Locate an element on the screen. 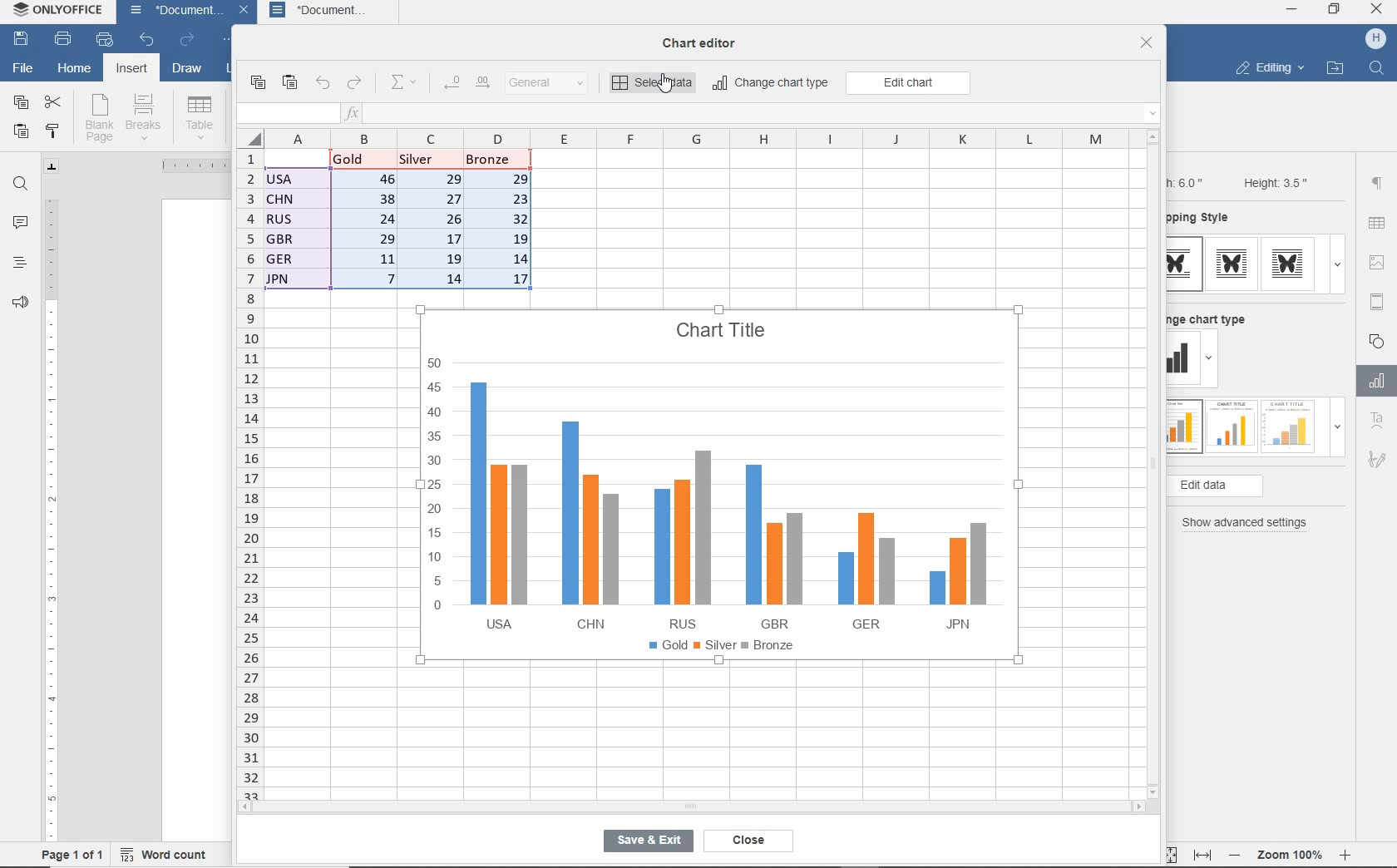 This screenshot has width=1397, height=868. edit data is located at coordinates (1242, 486).